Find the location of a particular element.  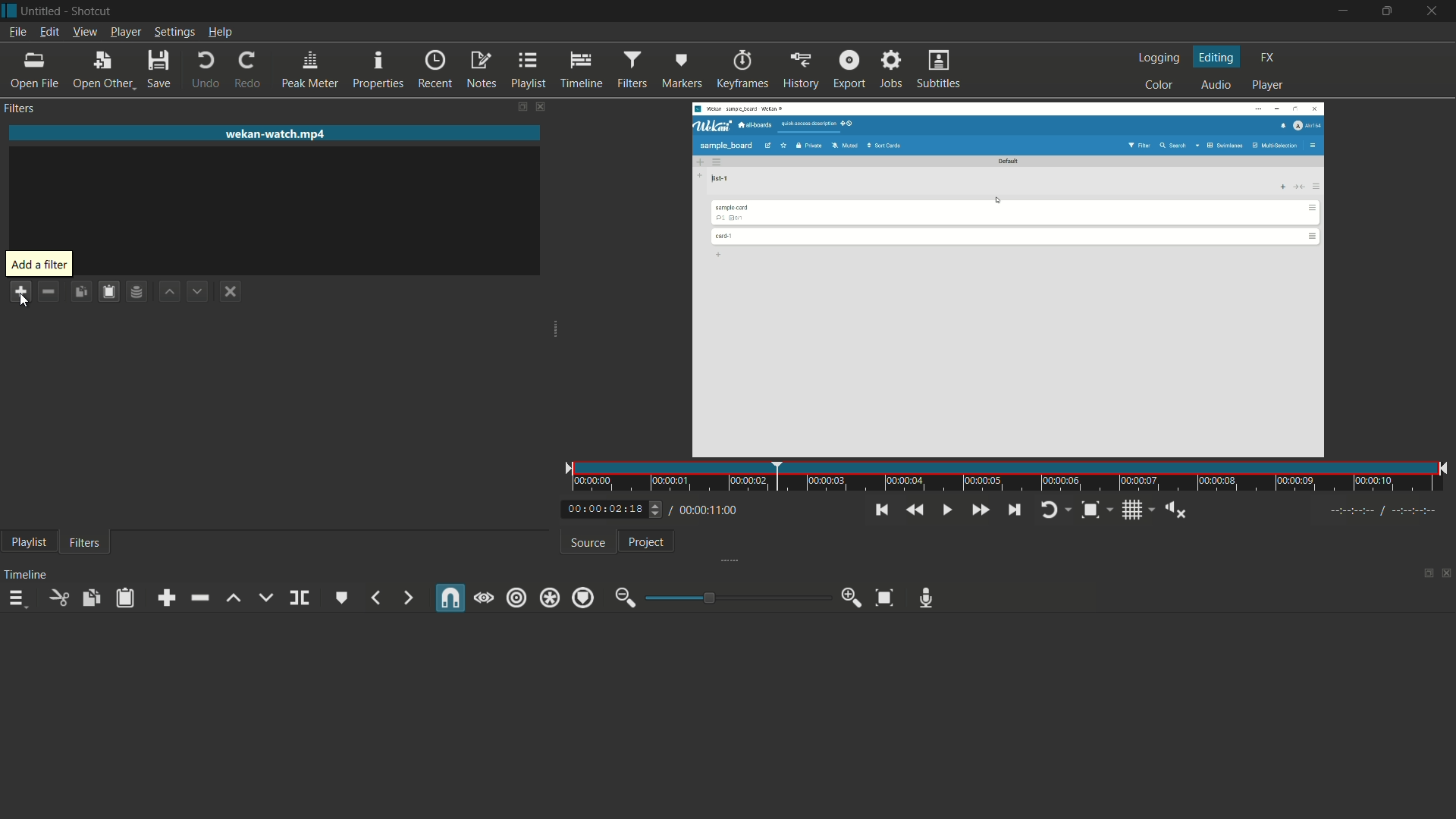

ripple delete is located at coordinates (199, 599).